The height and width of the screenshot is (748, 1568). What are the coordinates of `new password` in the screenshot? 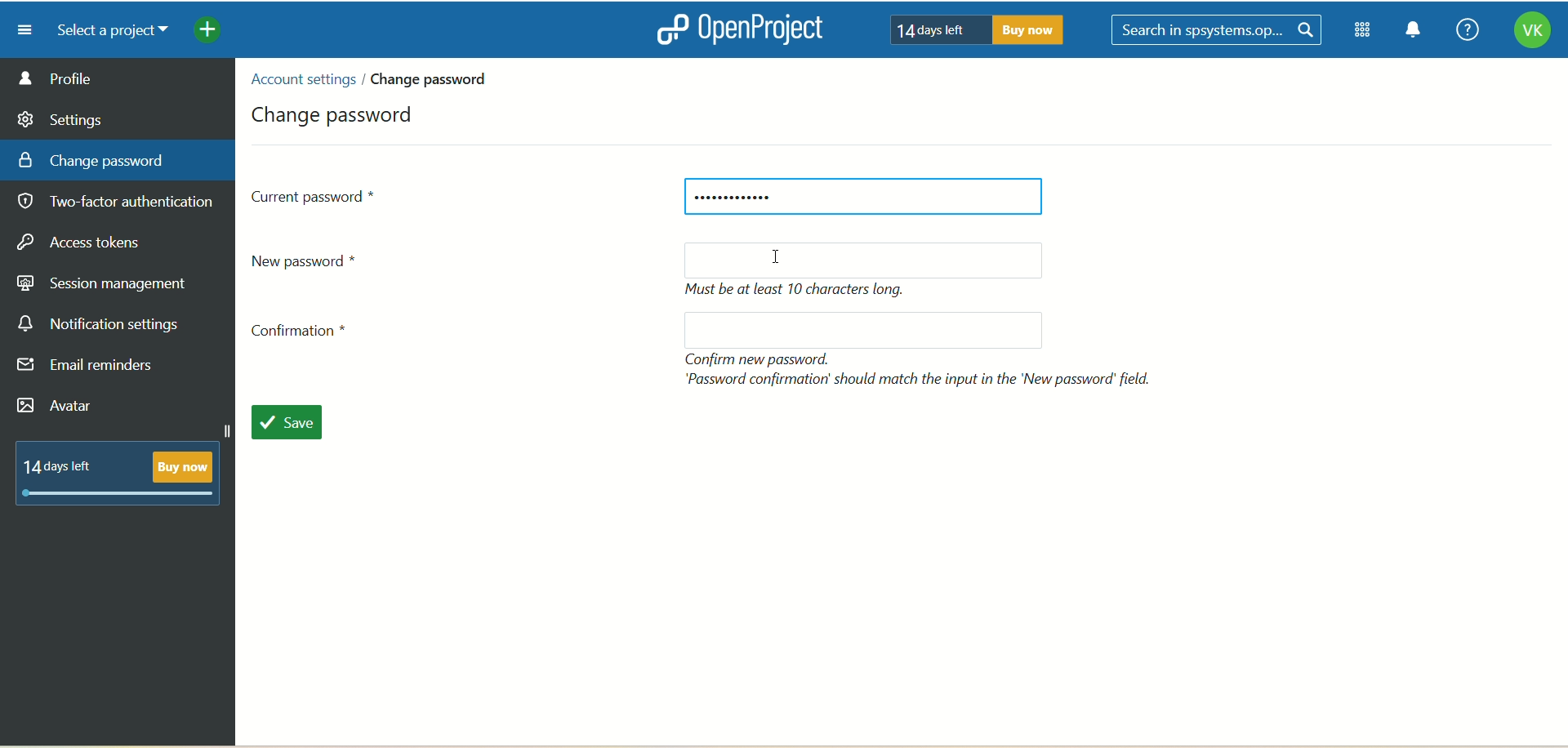 It's located at (312, 260).